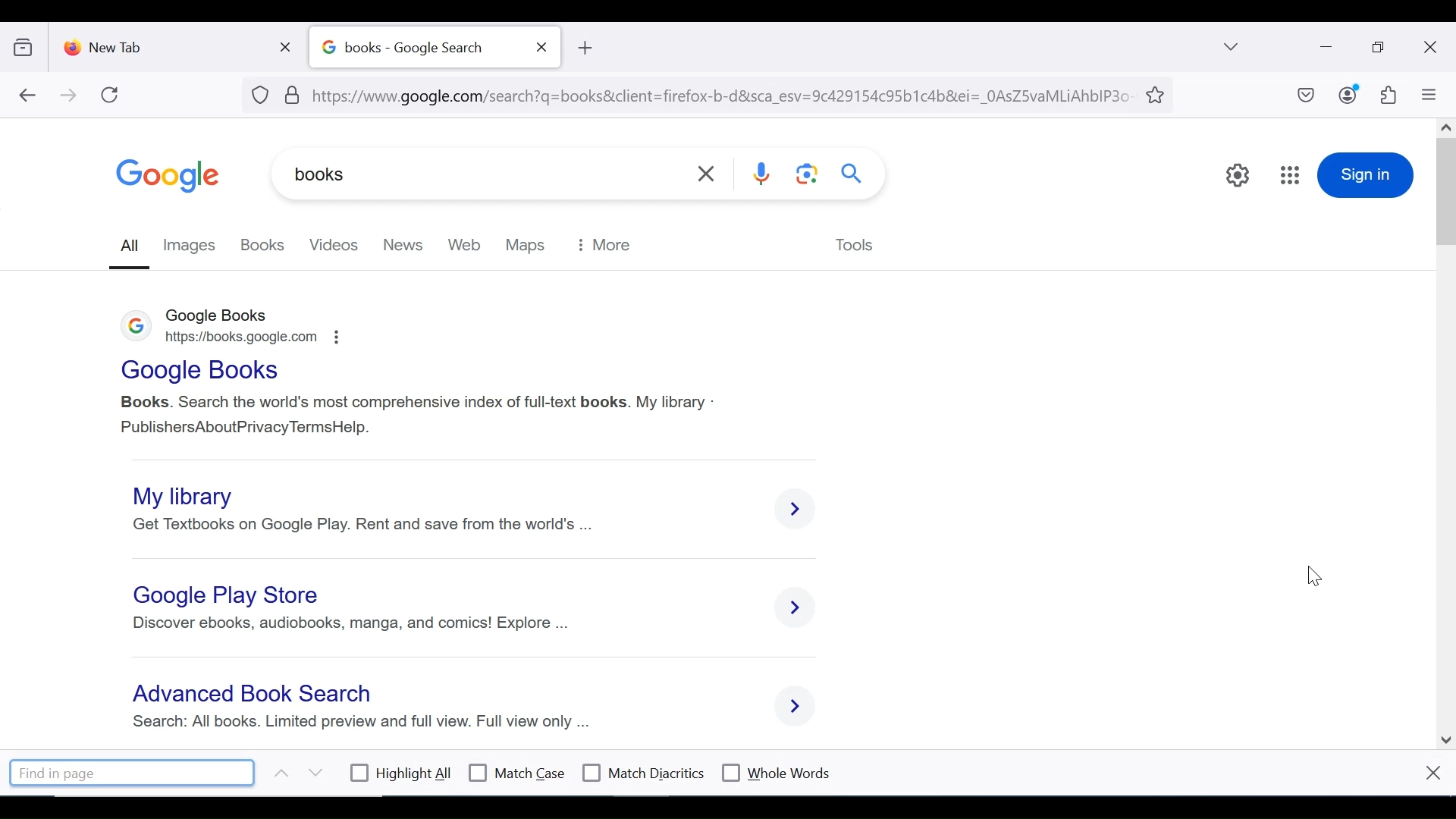  I want to click on show recent browsing across devices, so click(27, 45).